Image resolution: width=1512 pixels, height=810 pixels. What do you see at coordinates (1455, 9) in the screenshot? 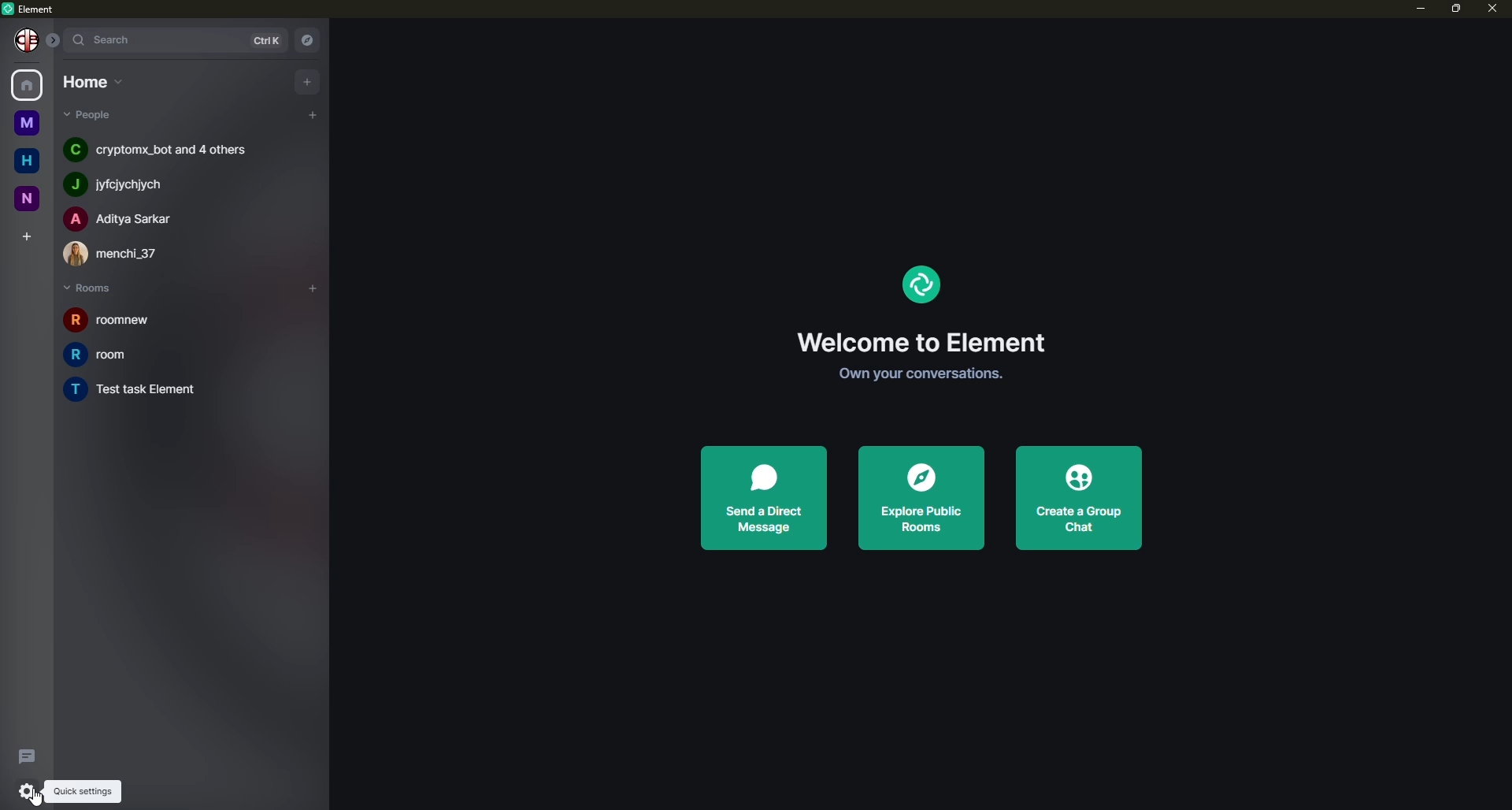
I see `maximize` at bounding box center [1455, 9].